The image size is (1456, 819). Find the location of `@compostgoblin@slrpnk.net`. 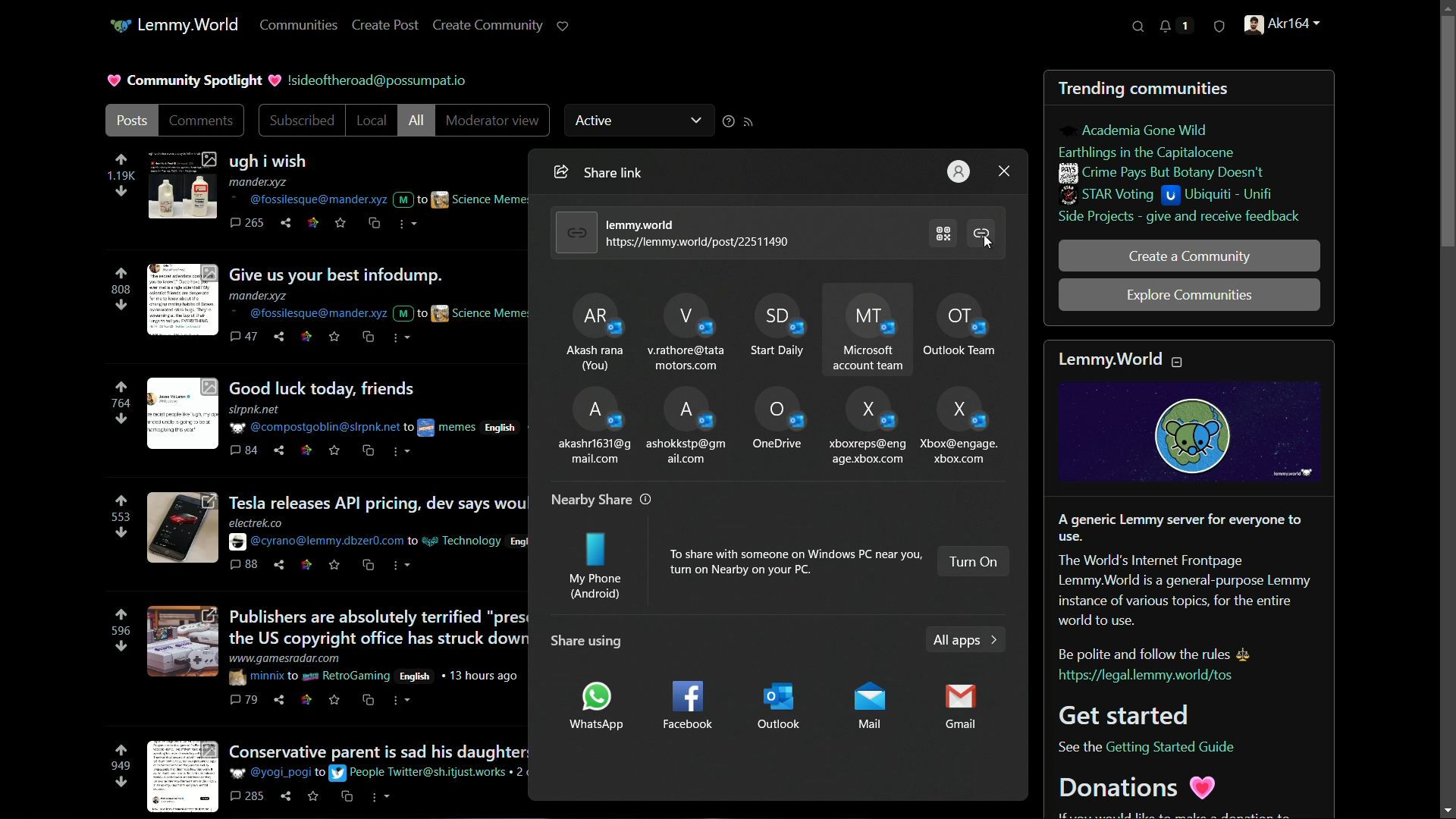

@compostgoblin@slrpnk.net is located at coordinates (312, 428).